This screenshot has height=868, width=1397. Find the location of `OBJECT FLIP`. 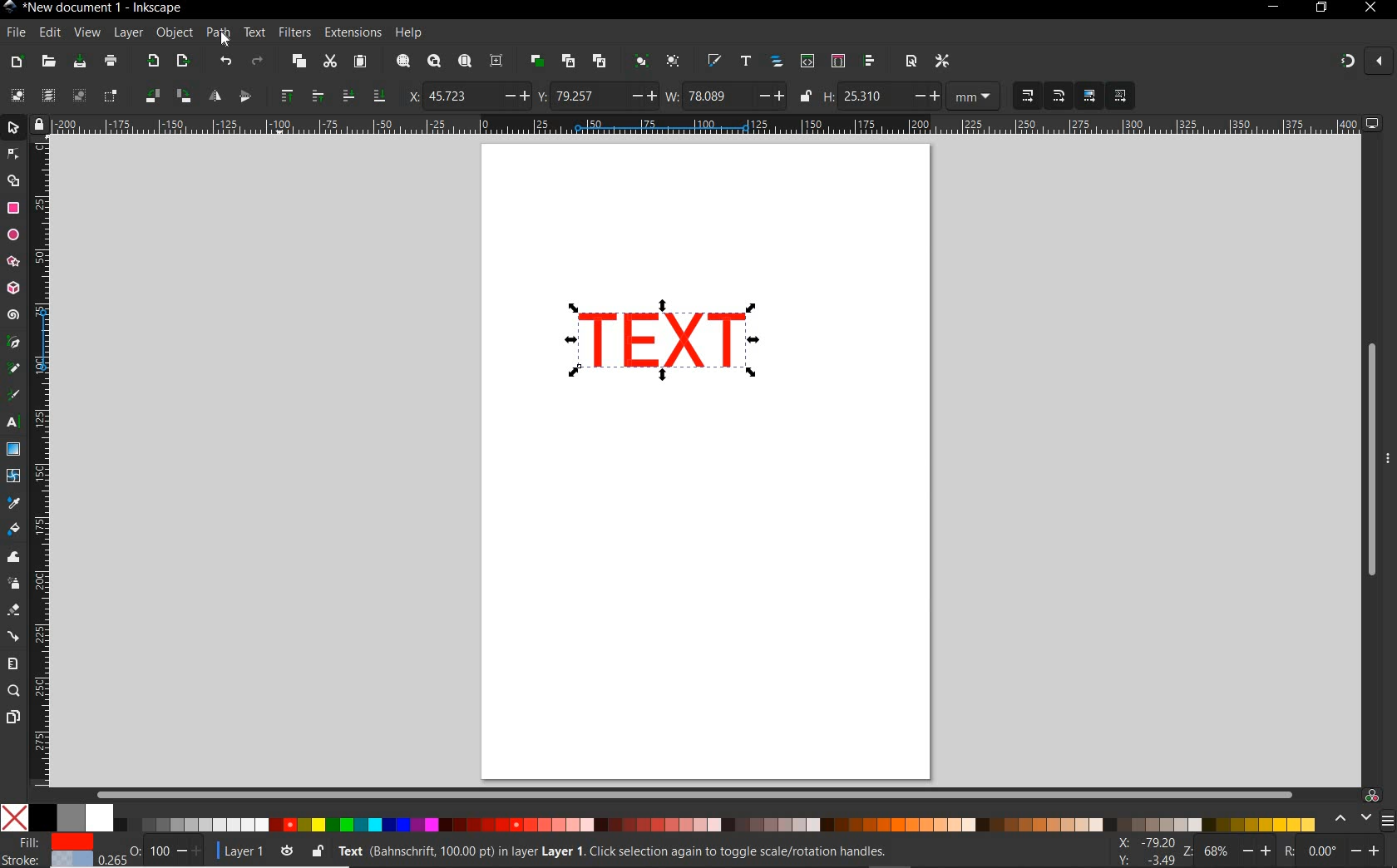

OBJECT FLIP is located at coordinates (230, 94).